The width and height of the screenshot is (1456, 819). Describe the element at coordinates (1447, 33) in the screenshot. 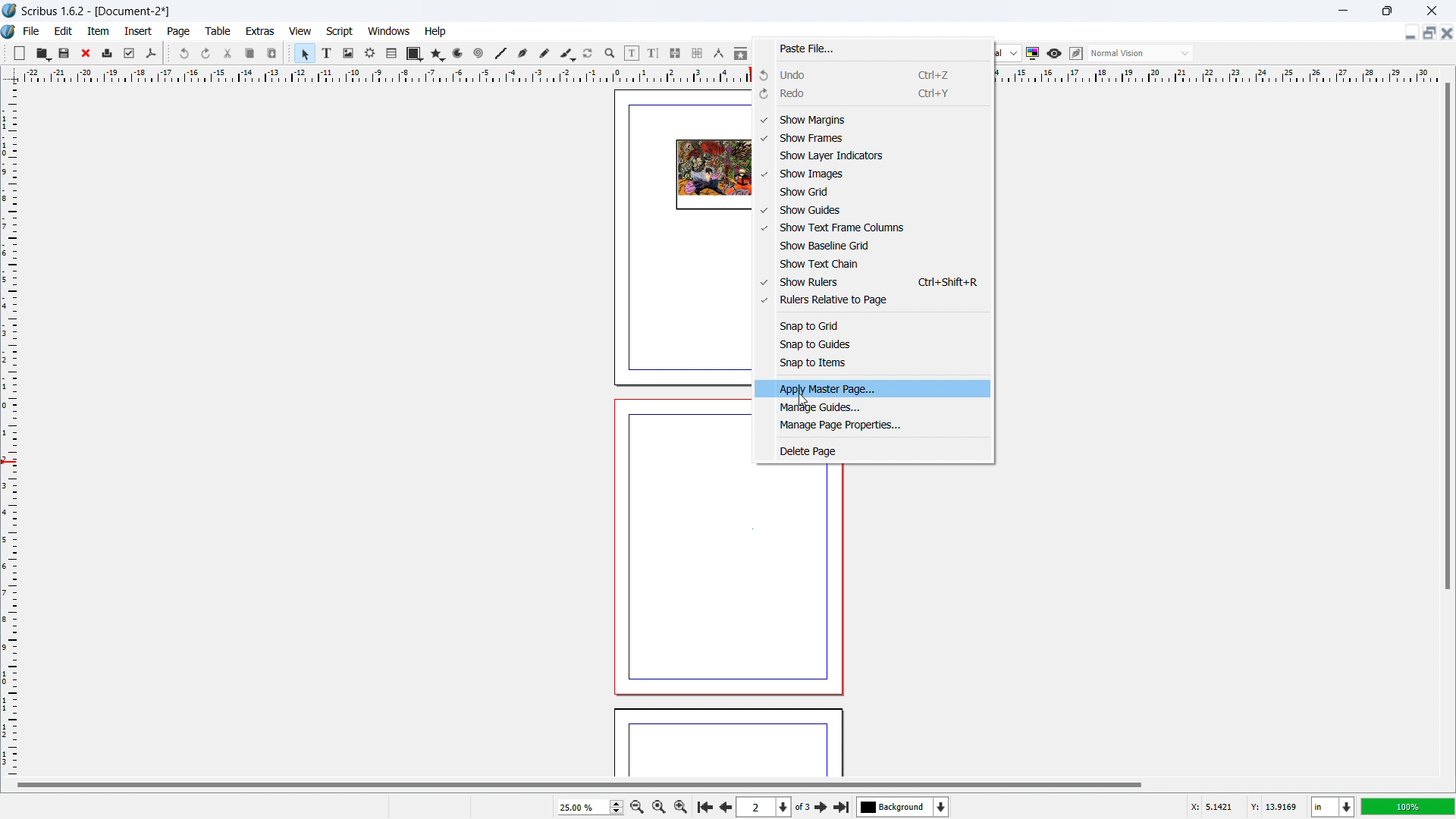

I see `close document` at that location.